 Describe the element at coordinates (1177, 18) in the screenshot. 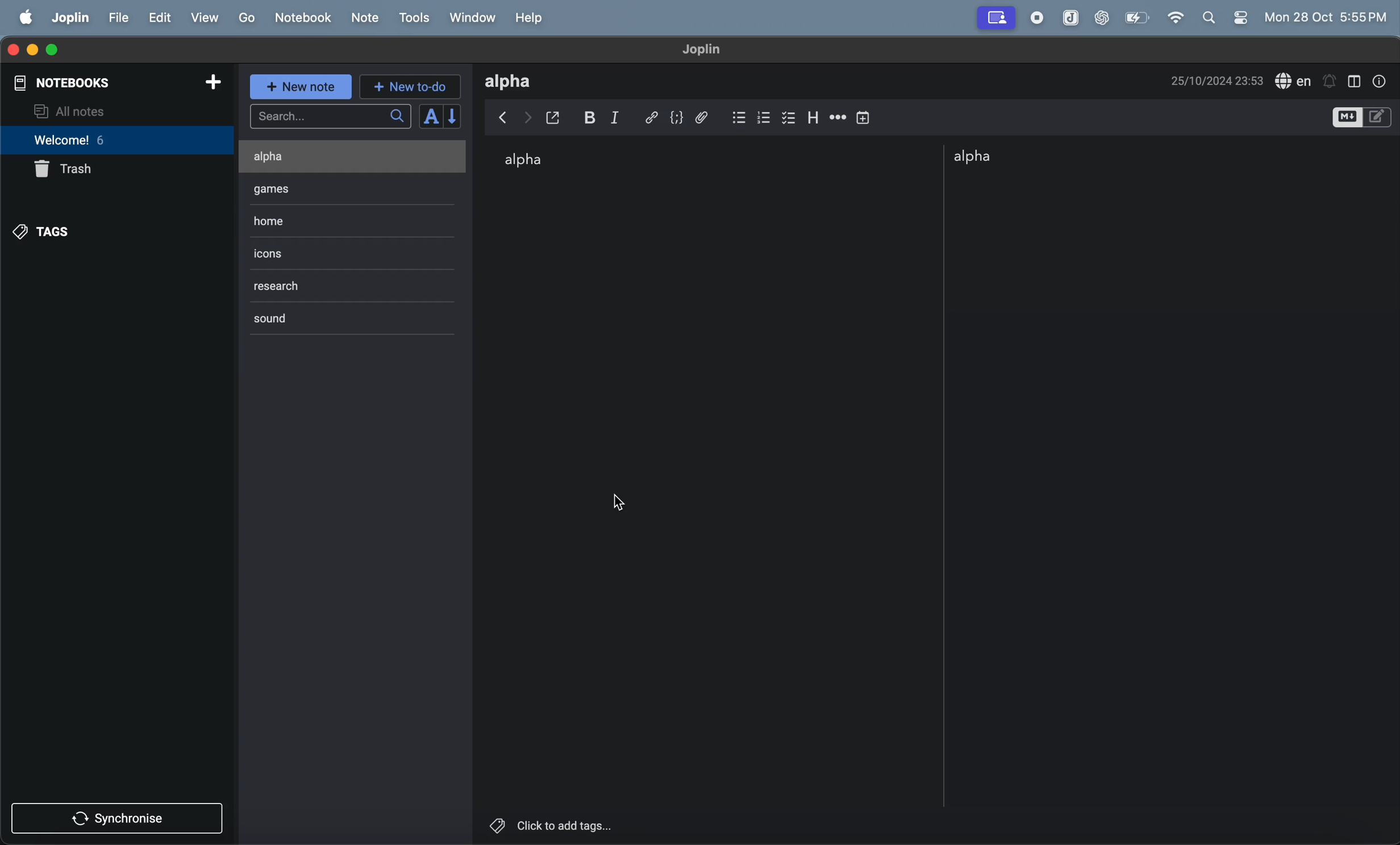

I see `wifi` at that location.